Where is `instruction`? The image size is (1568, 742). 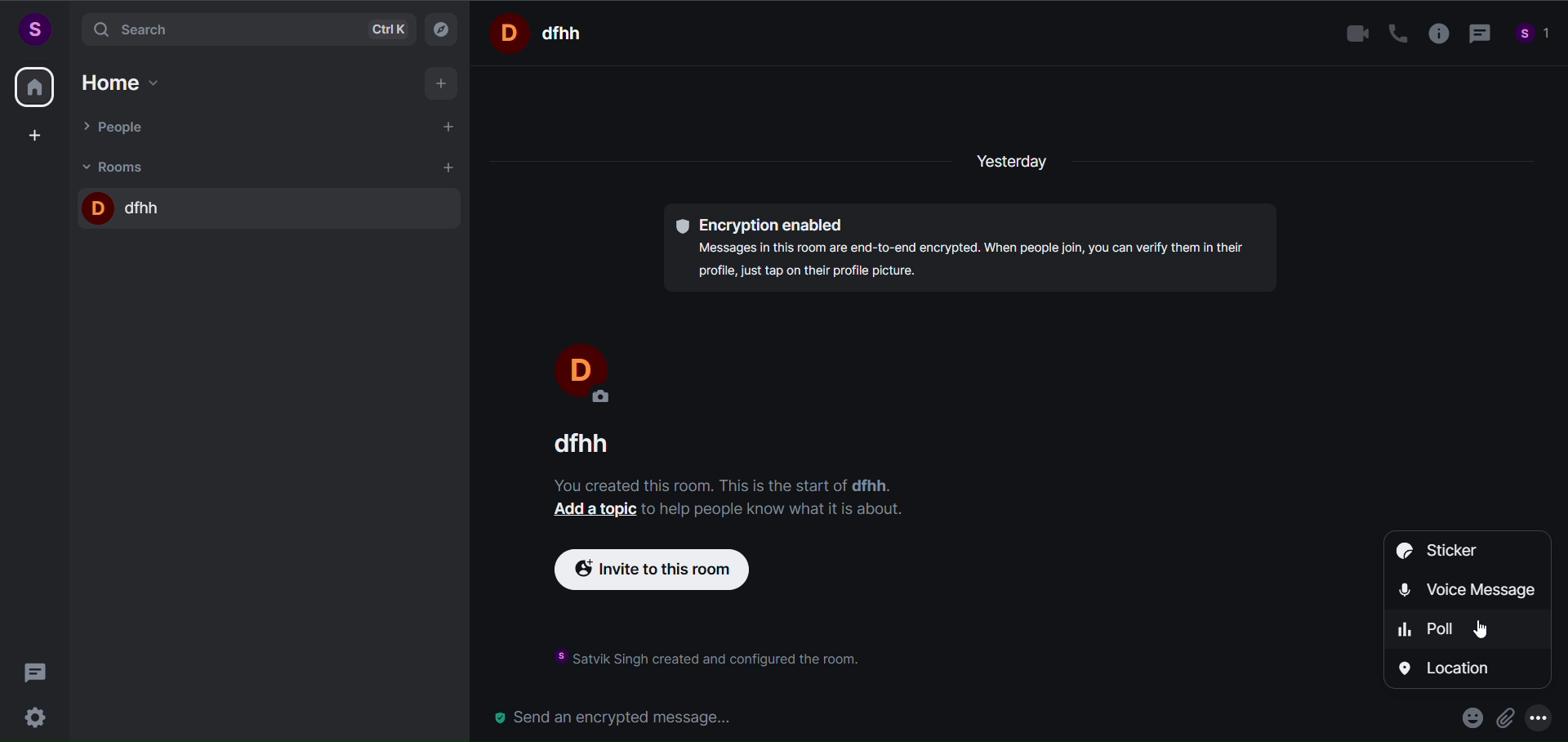 instruction is located at coordinates (719, 655).